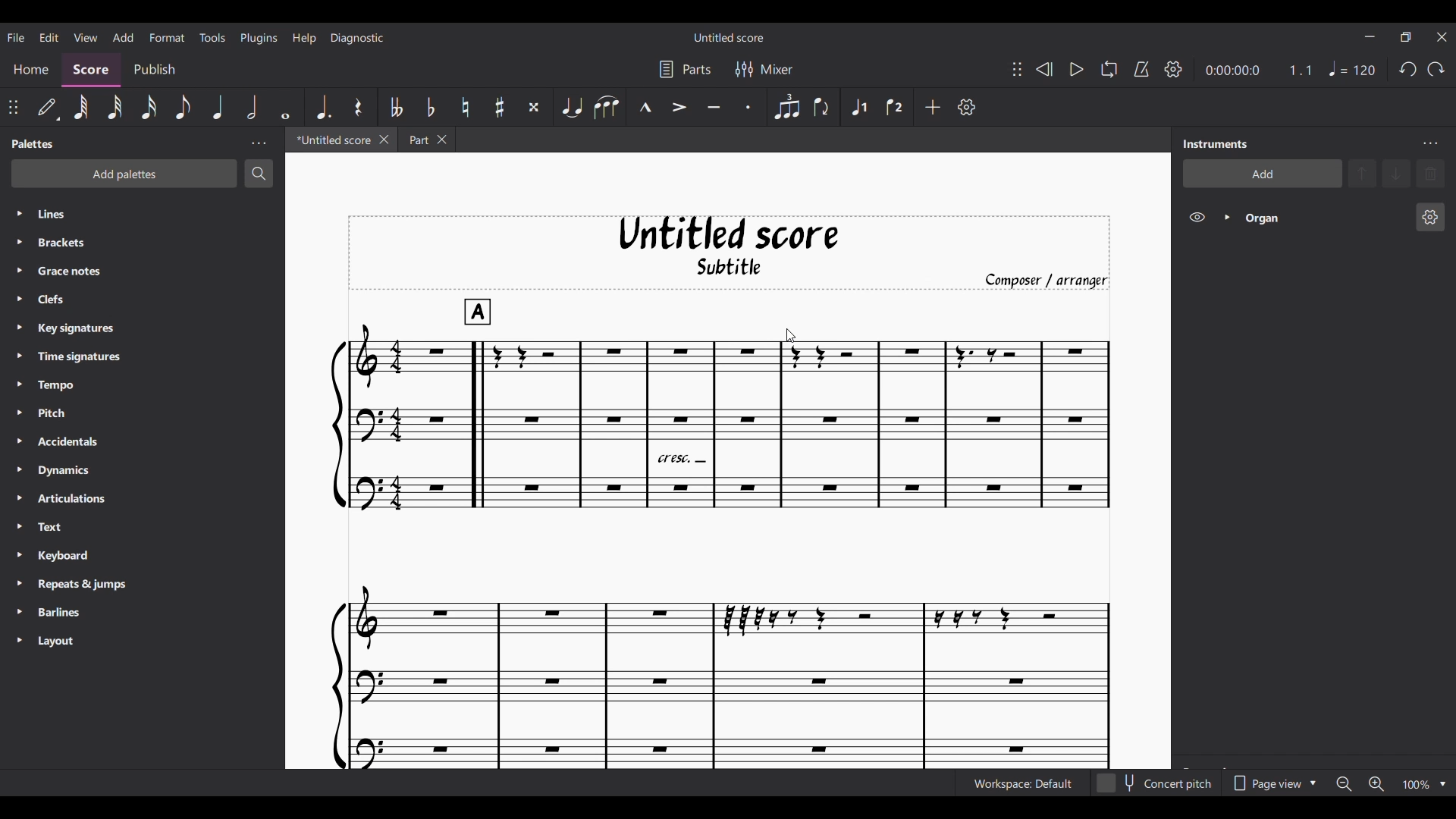  I want to click on Tenuto, so click(714, 108).